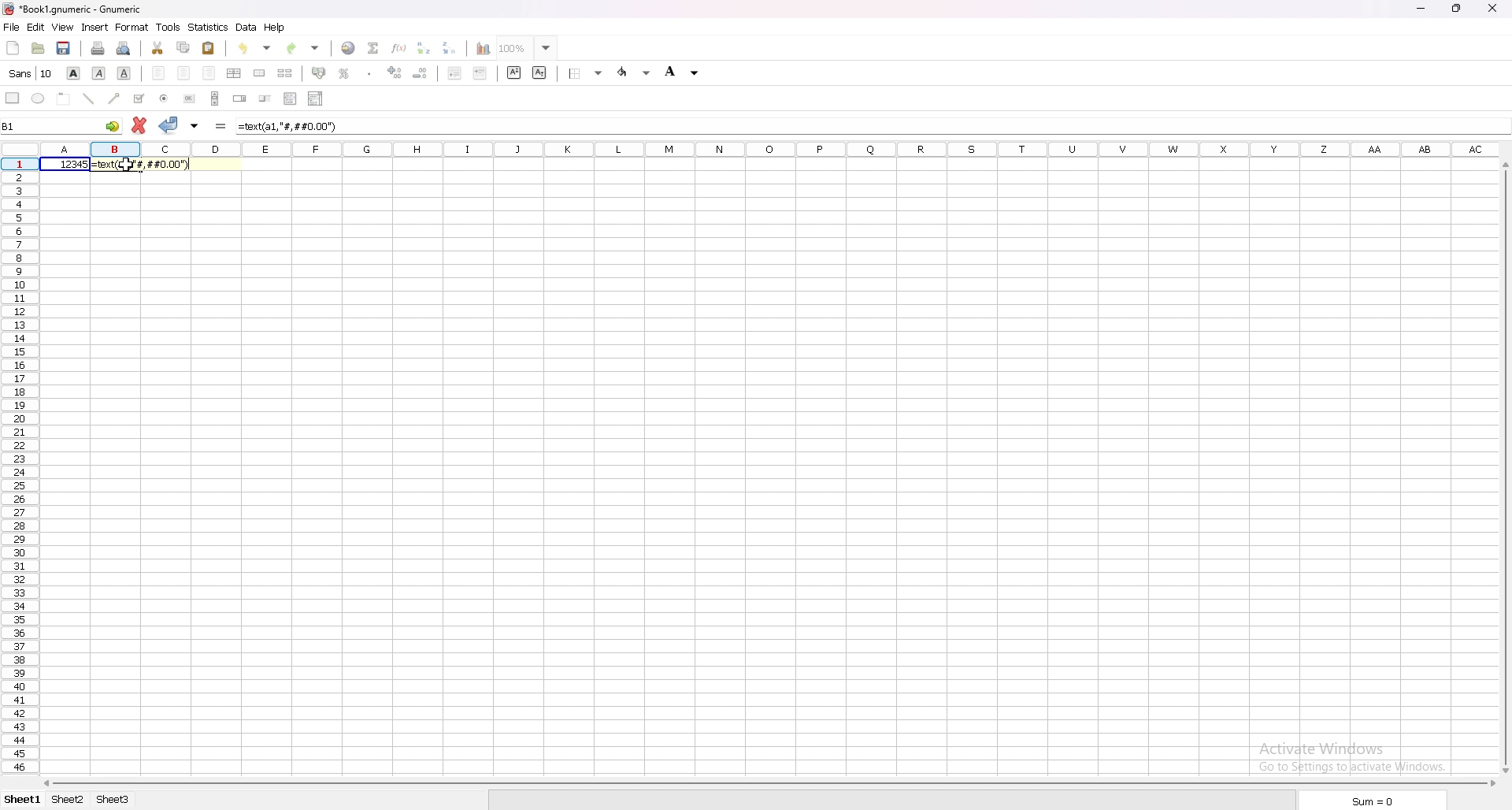 The width and height of the screenshot is (1512, 810). Describe the element at coordinates (124, 74) in the screenshot. I see `underline` at that location.